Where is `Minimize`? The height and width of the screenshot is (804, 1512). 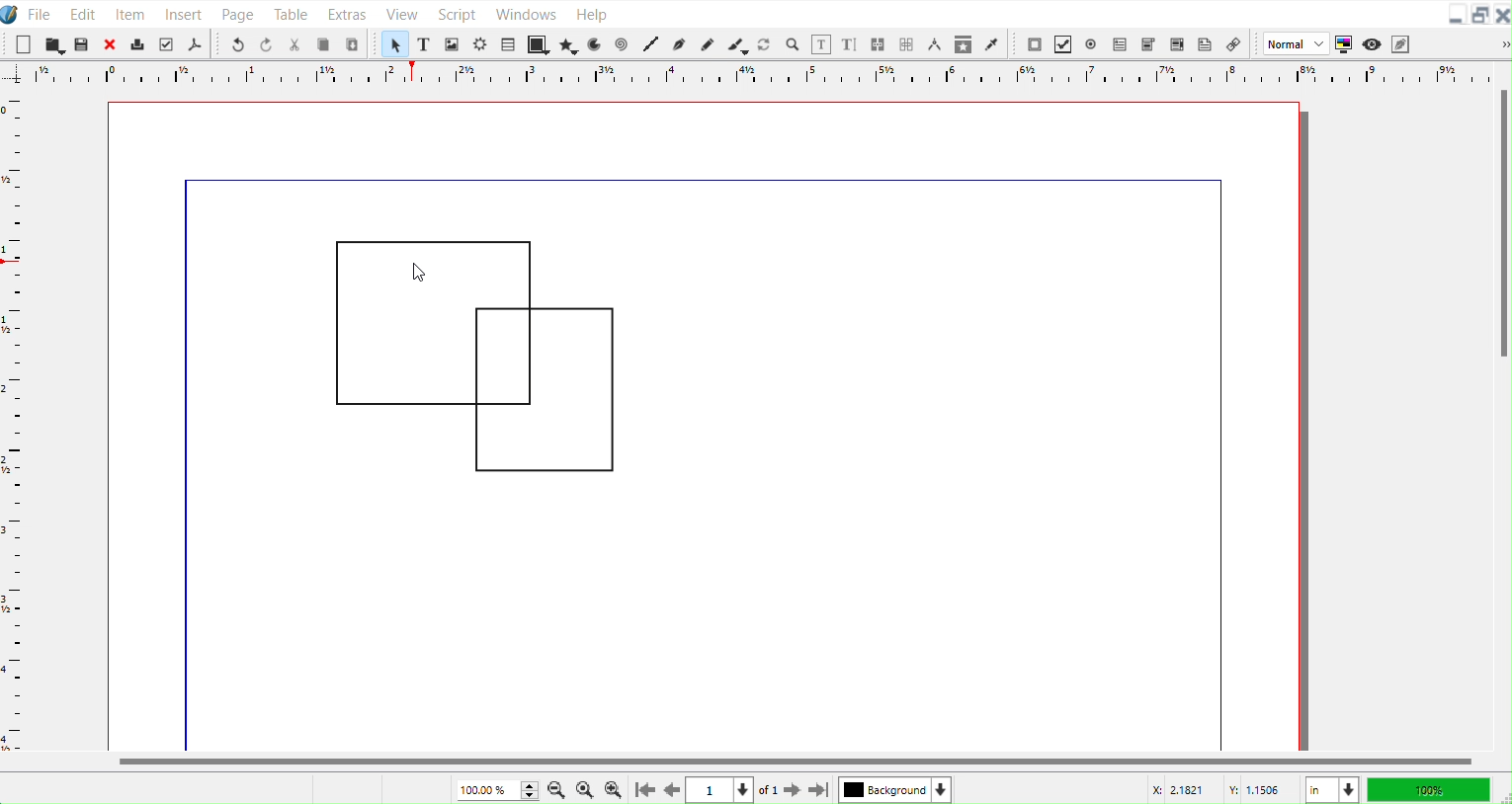 Minimize is located at coordinates (1458, 13).